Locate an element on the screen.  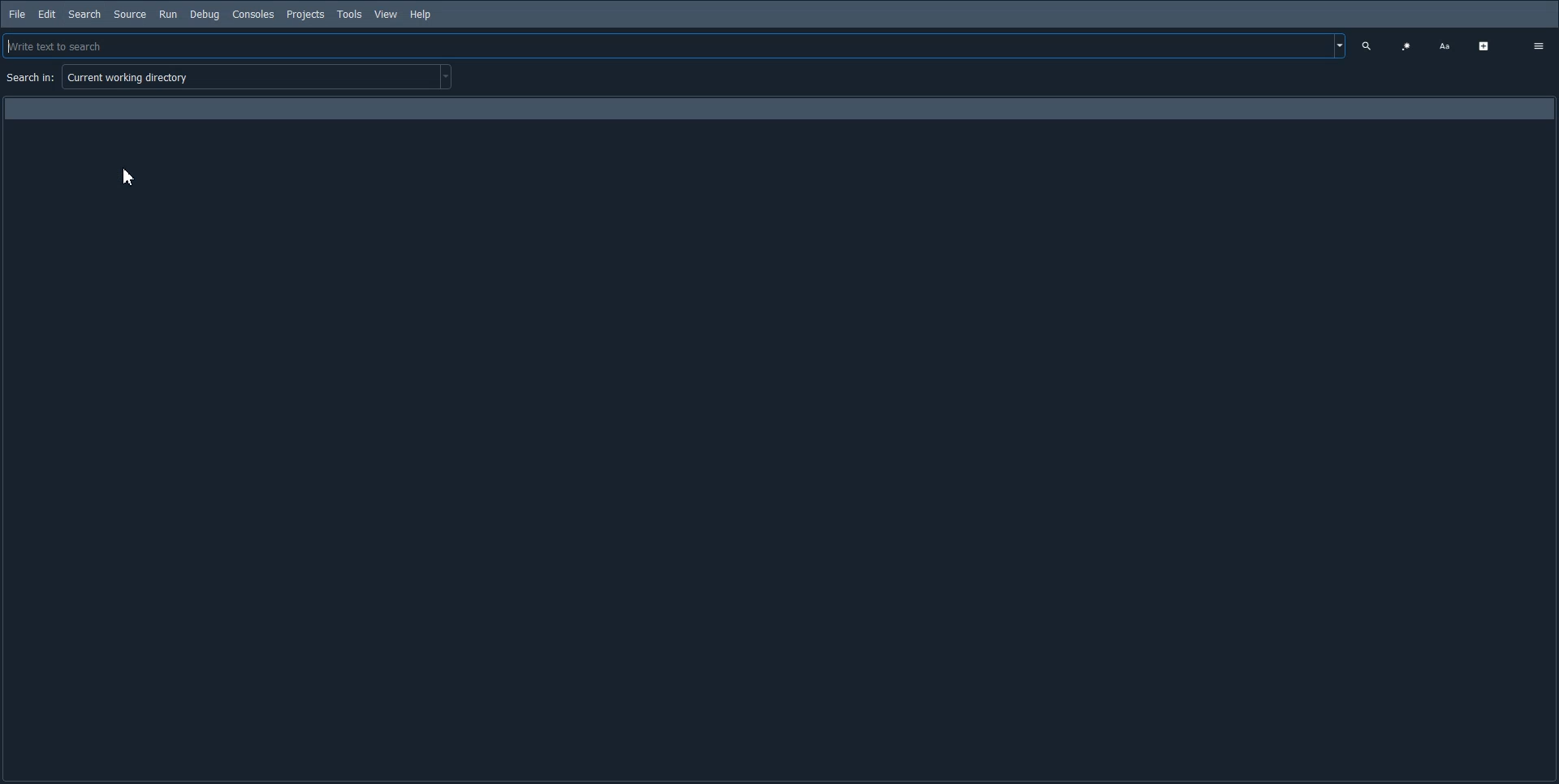
Run is located at coordinates (168, 15).